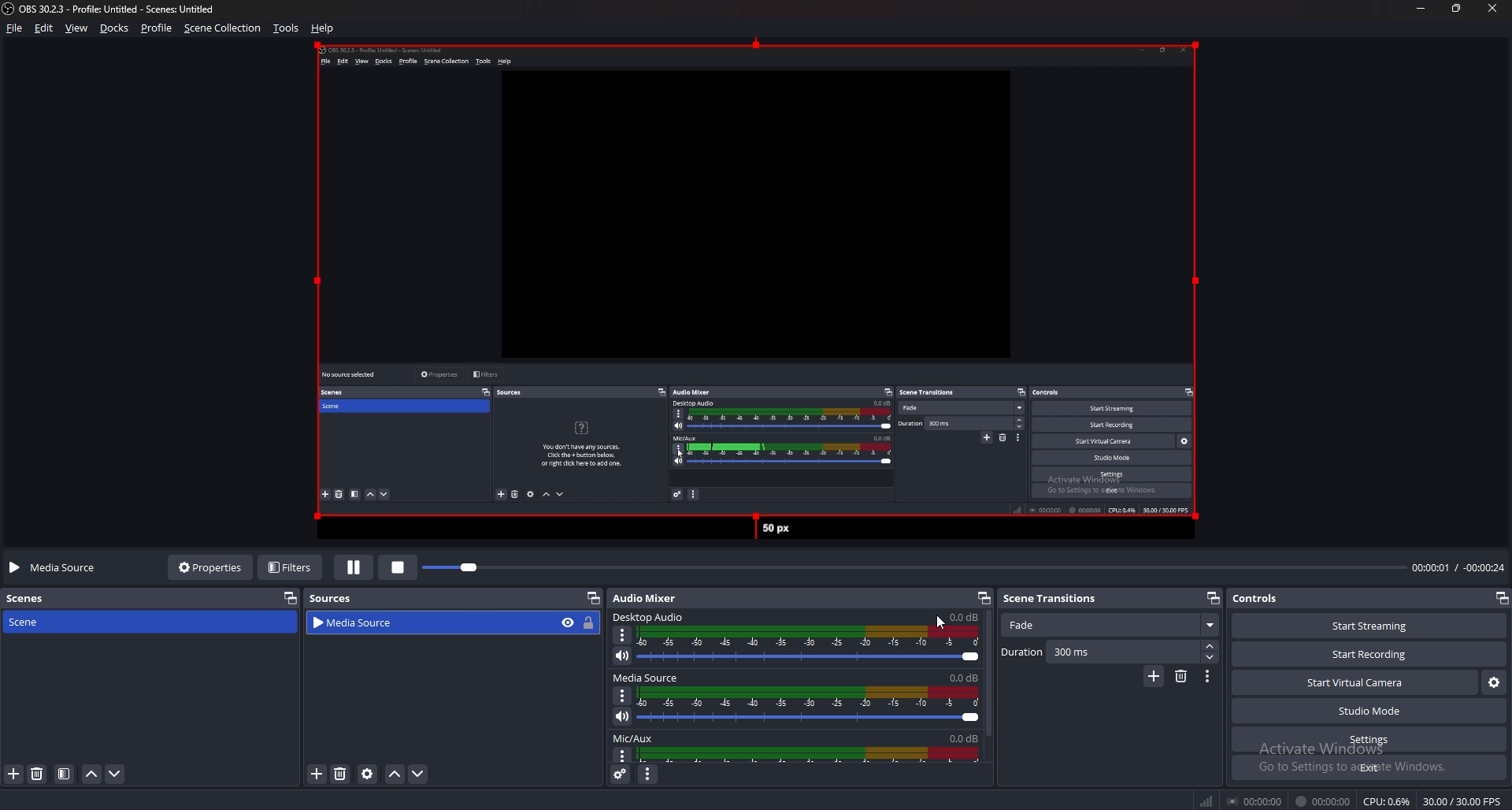  Describe the element at coordinates (287, 567) in the screenshot. I see `Filters` at that location.